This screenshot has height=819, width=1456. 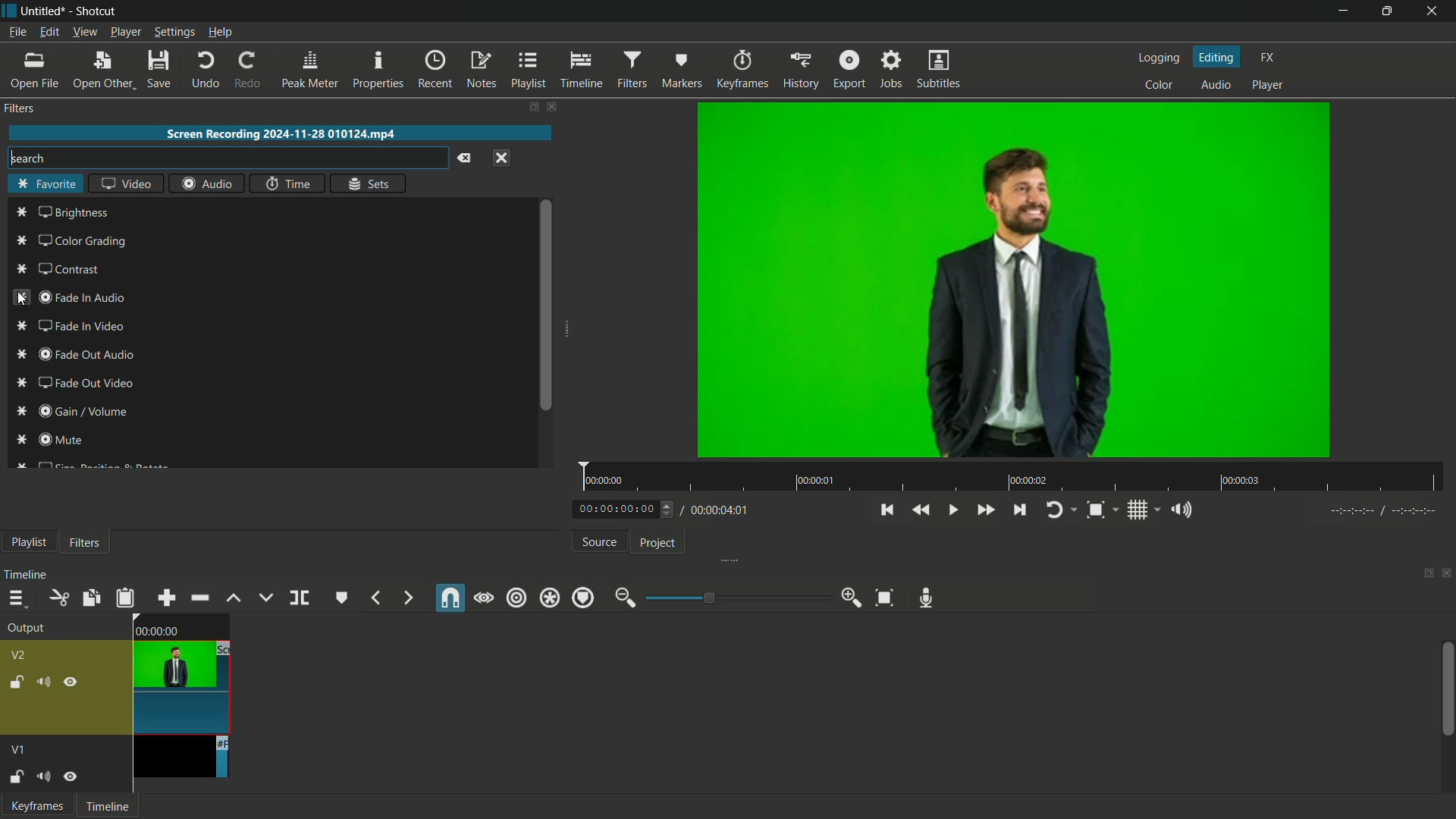 I want to click on create or edit marker, so click(x=340, y=599).